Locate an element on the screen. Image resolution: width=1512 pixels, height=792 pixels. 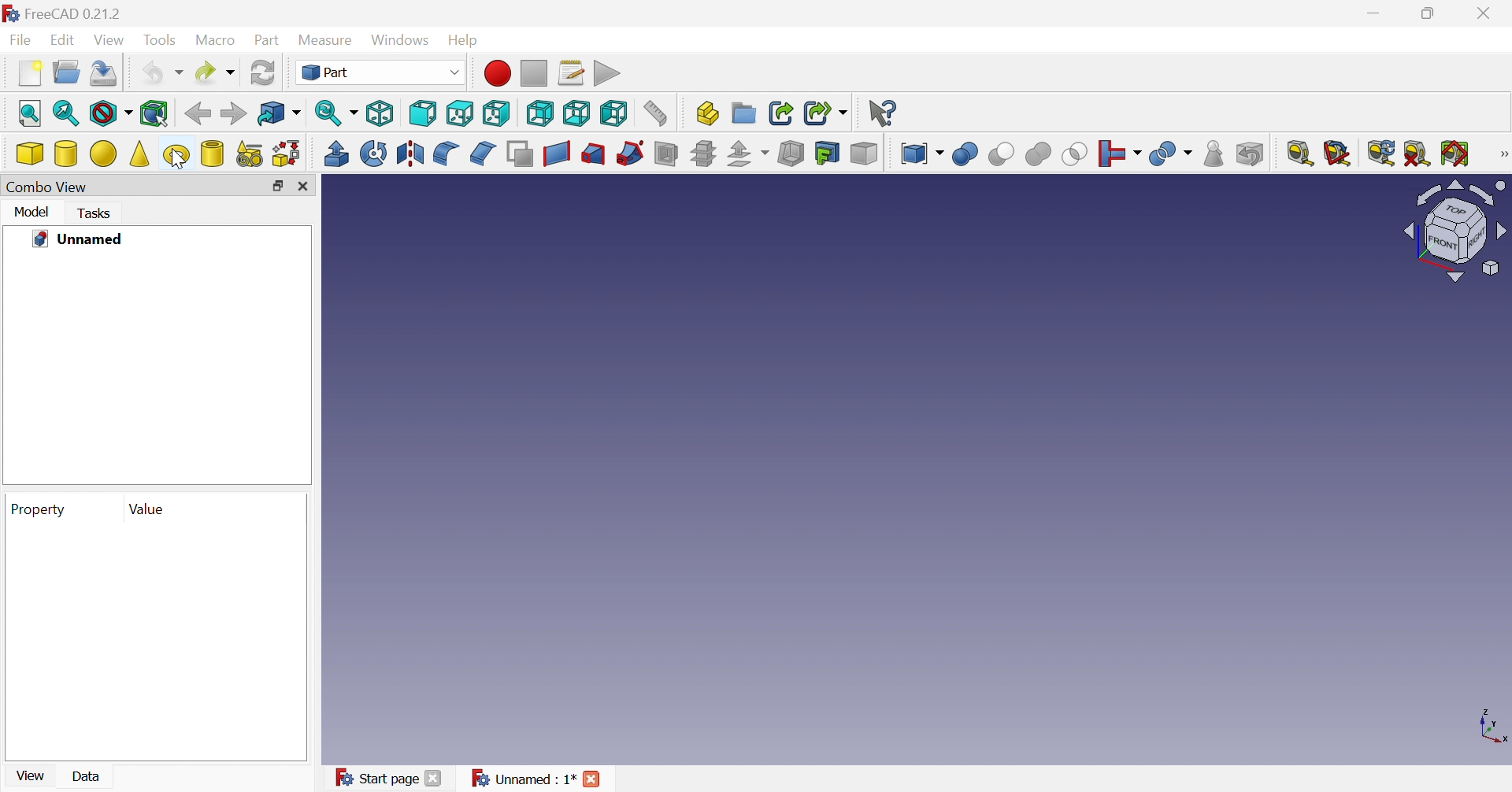
Close is located at coordinates (1489, 13).